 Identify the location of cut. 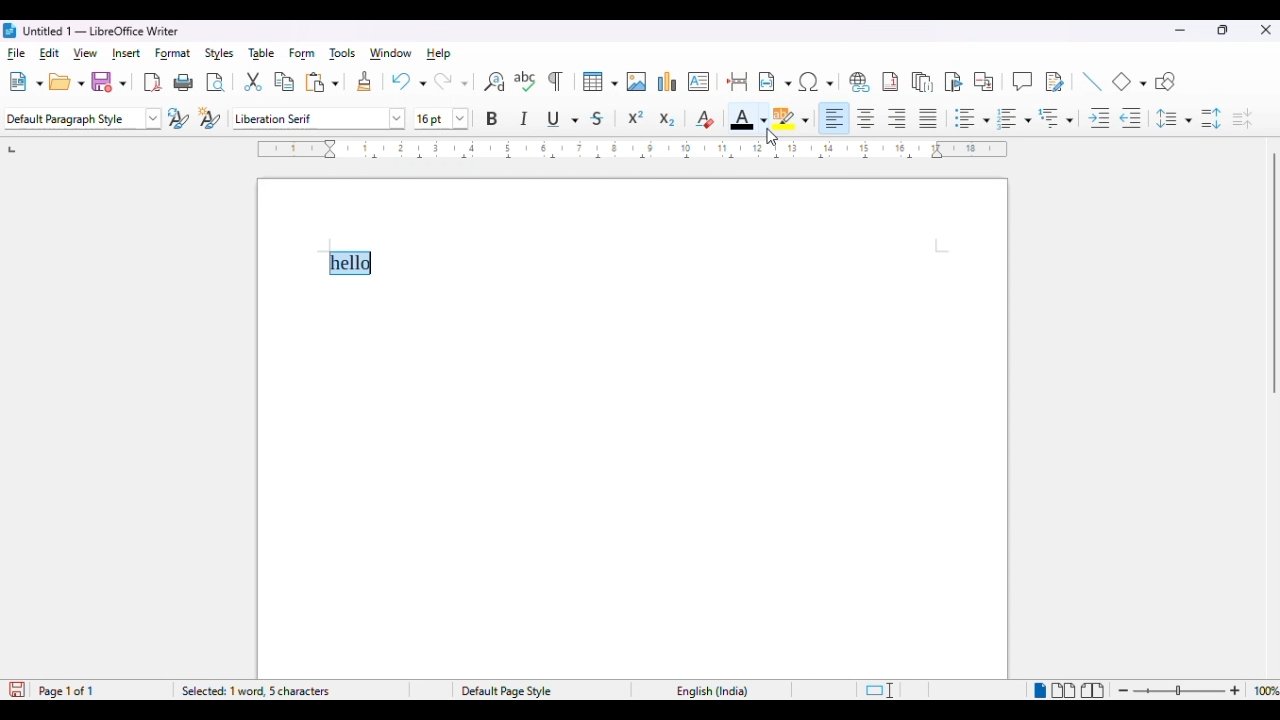
(253, 82).